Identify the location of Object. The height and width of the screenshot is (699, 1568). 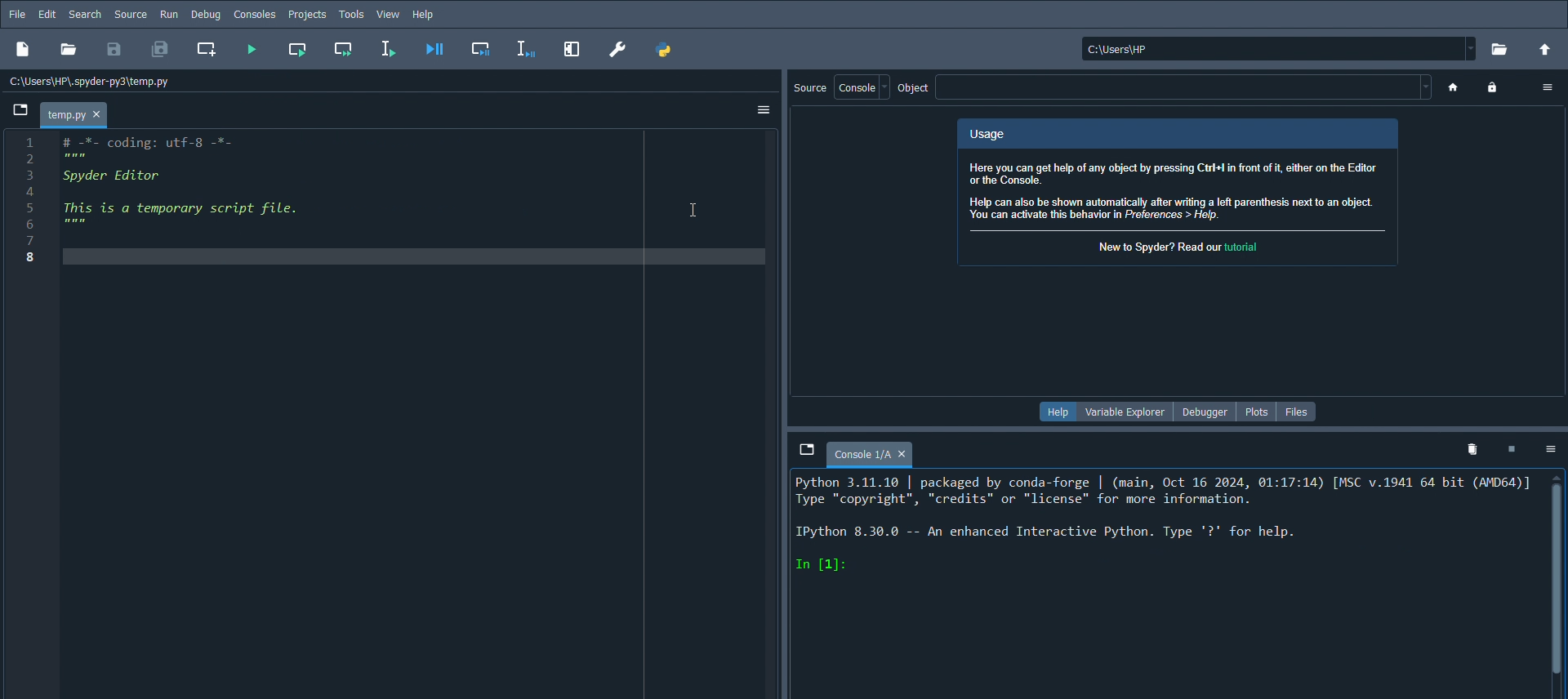
(914, 91).